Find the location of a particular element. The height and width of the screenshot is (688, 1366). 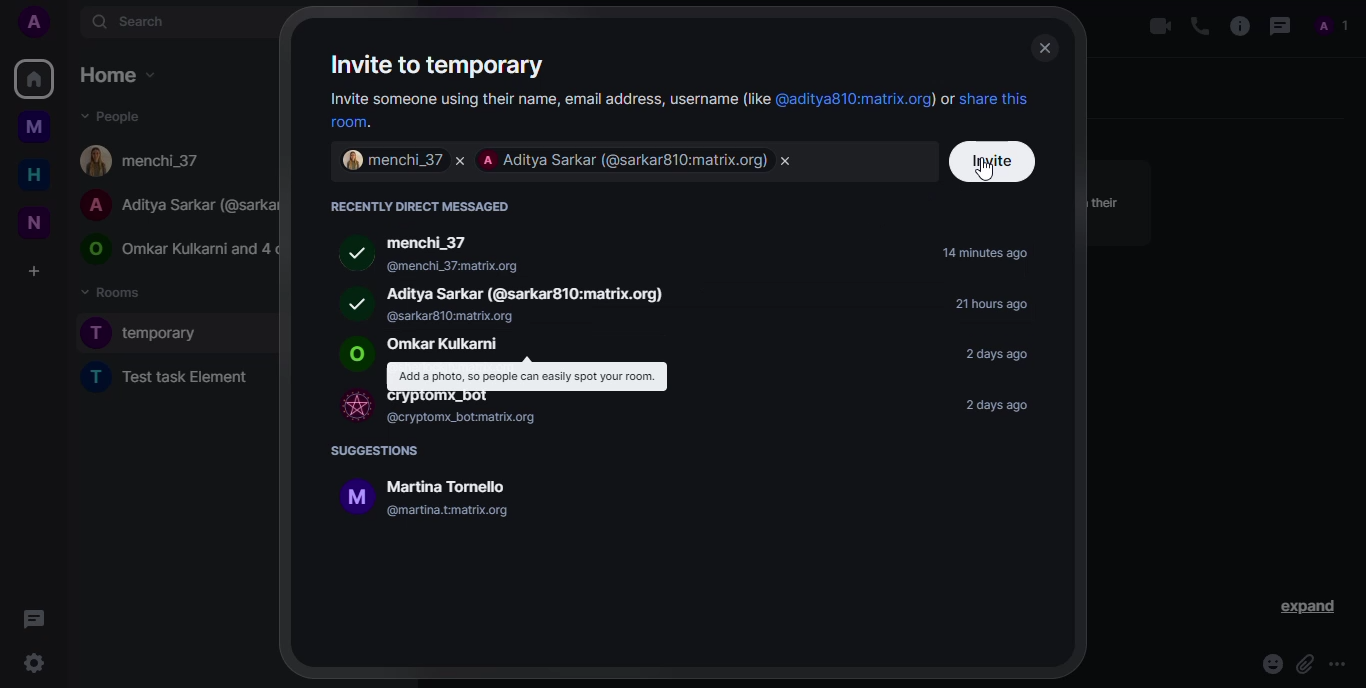

myspace is located at coordinates (34, 127).